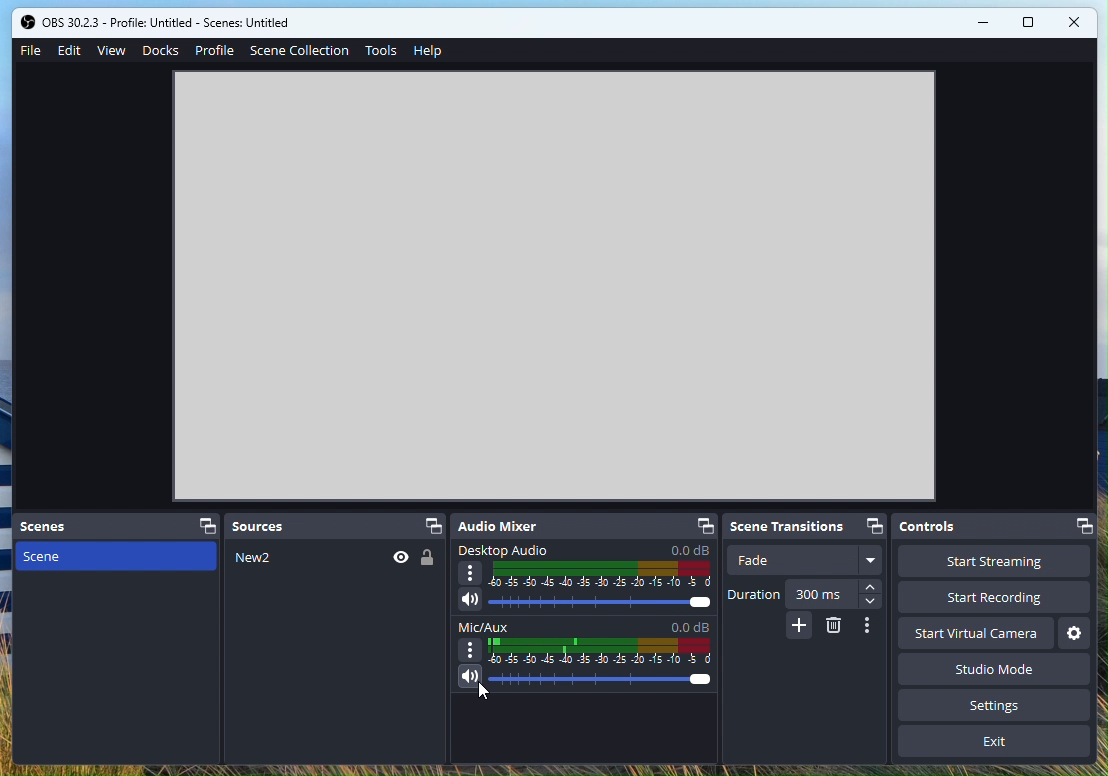 This screenshot has width=1108, height=776. What do you see at coordinates (536, 261) in the screenshot?
I see `information display` at bounding box center [536, 261].